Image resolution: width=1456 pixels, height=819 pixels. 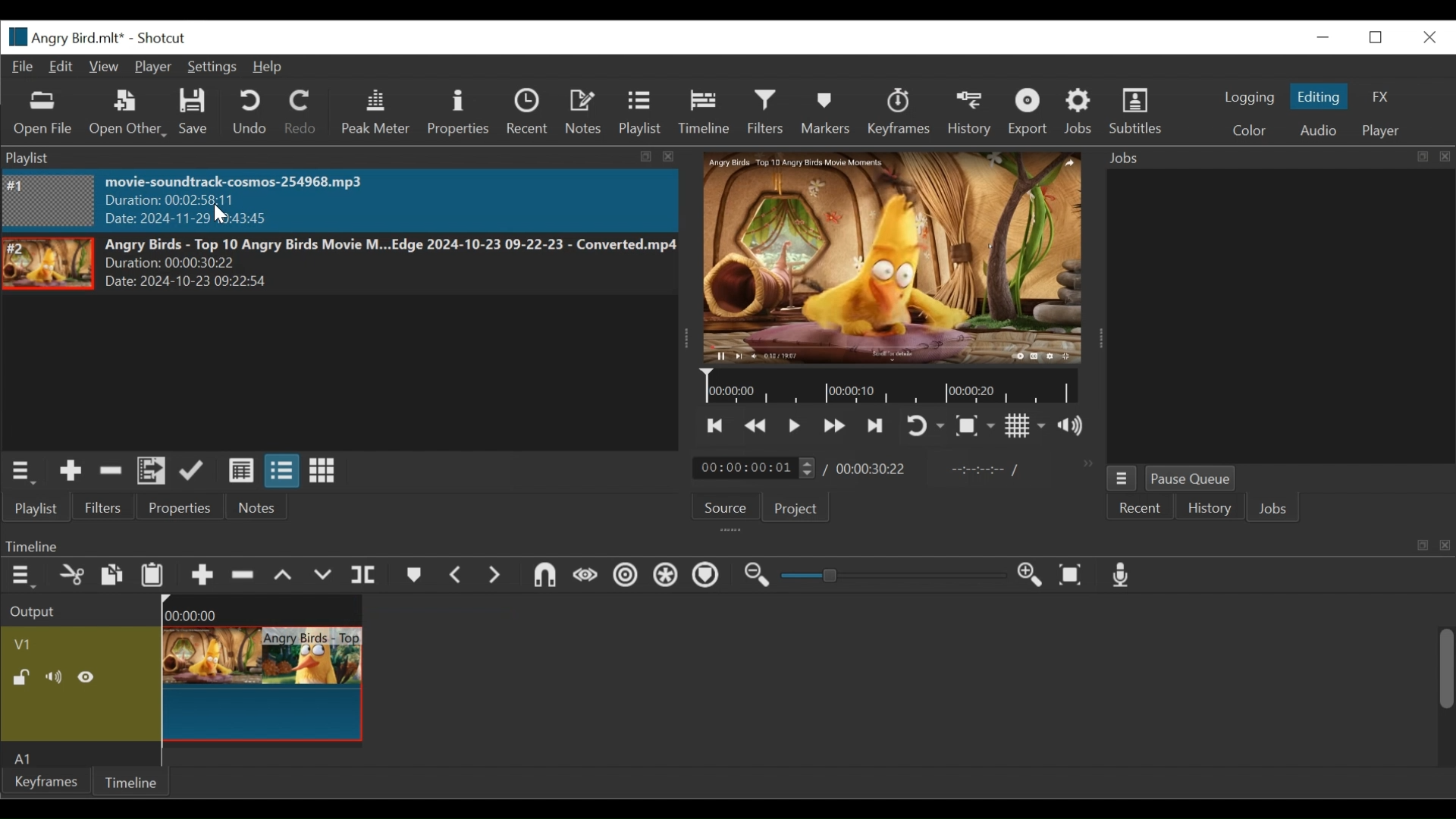 What do you see at coordinates (981, 469) in the screenshot?
I see `In point` at bounding box center [981, 469].